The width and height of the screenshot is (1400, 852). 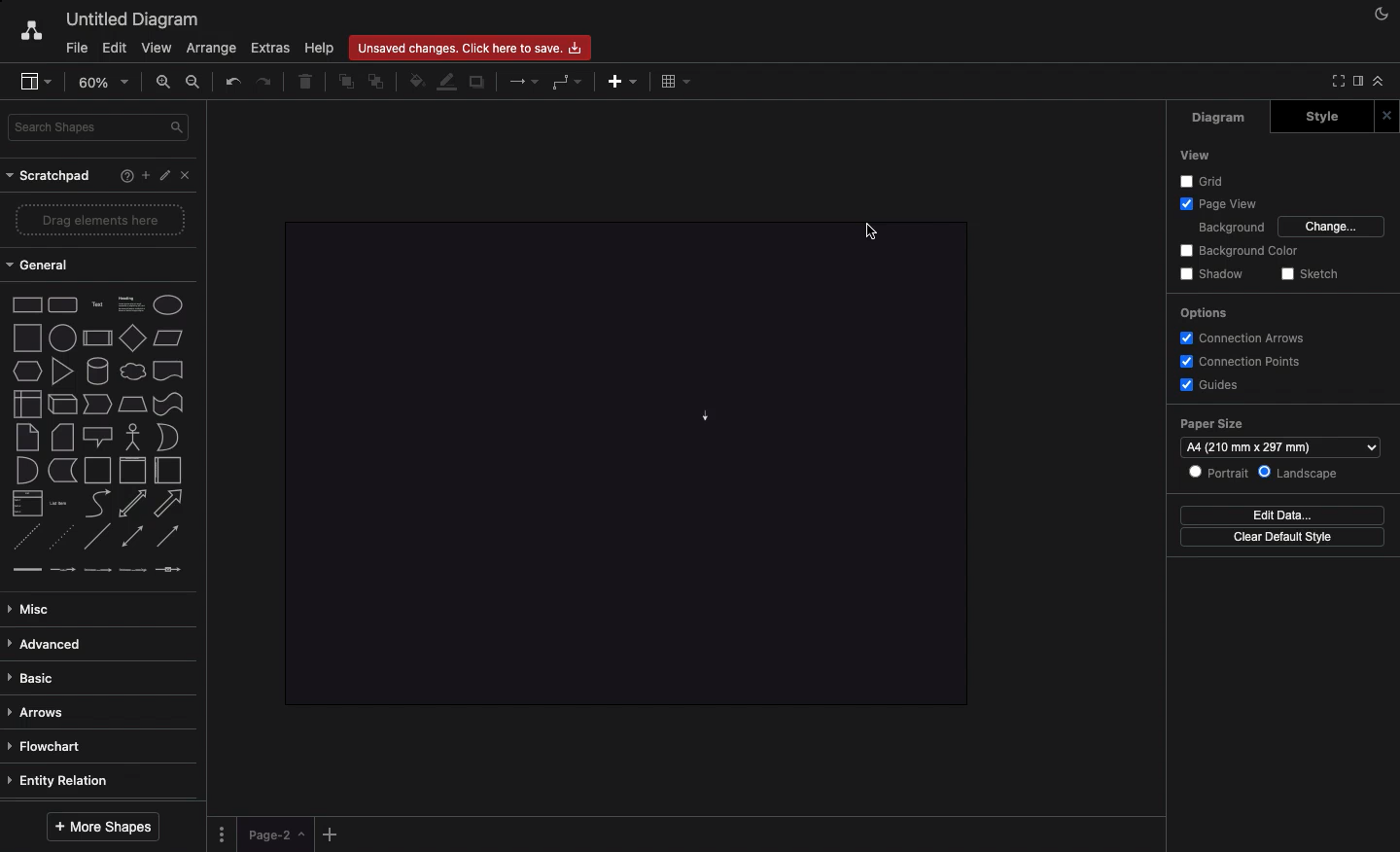 I want to click on Arrow, so click(x=708, y=415).